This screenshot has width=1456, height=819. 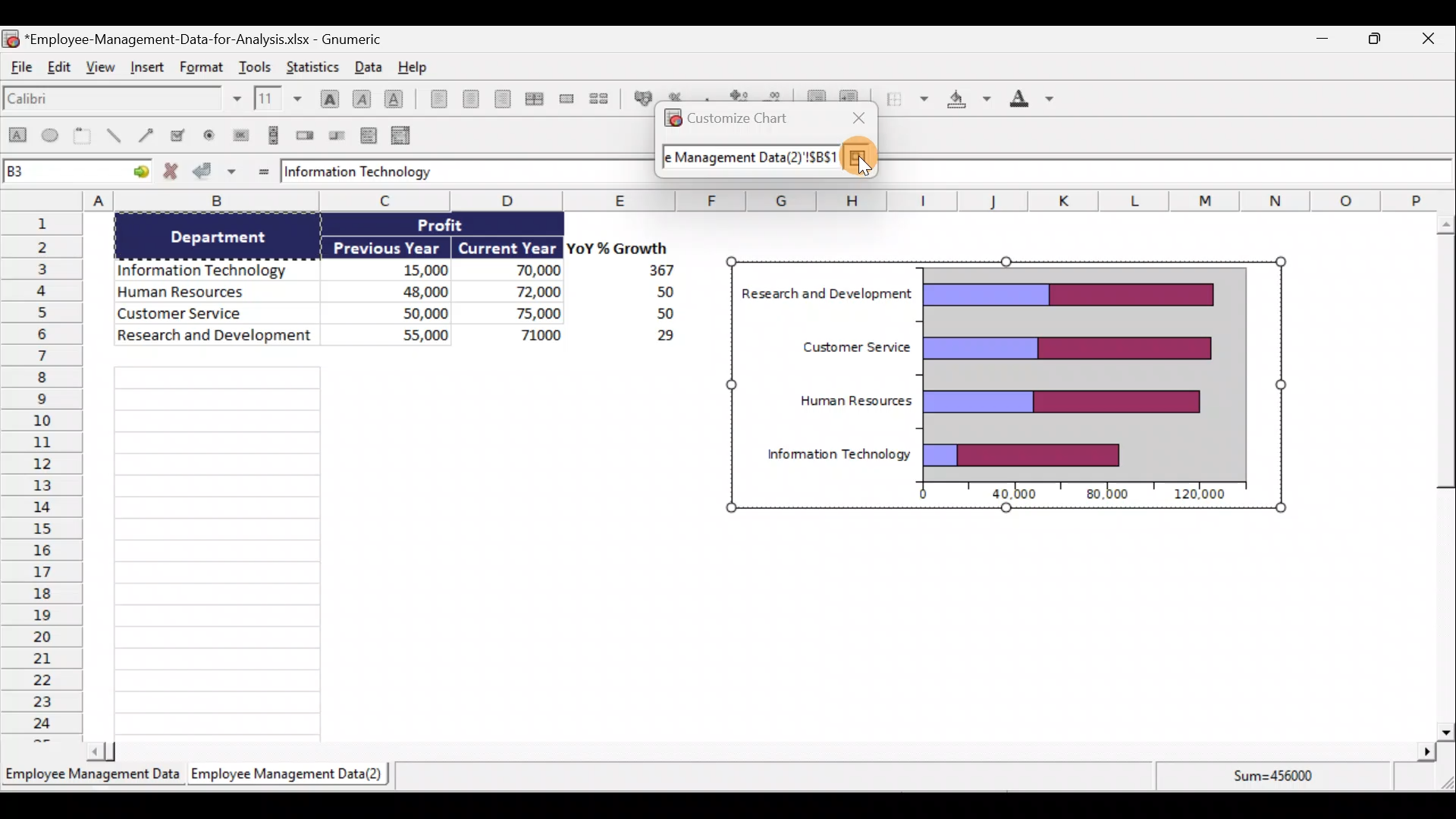 I want to click on Human Resources, so click(x=854, y=400).